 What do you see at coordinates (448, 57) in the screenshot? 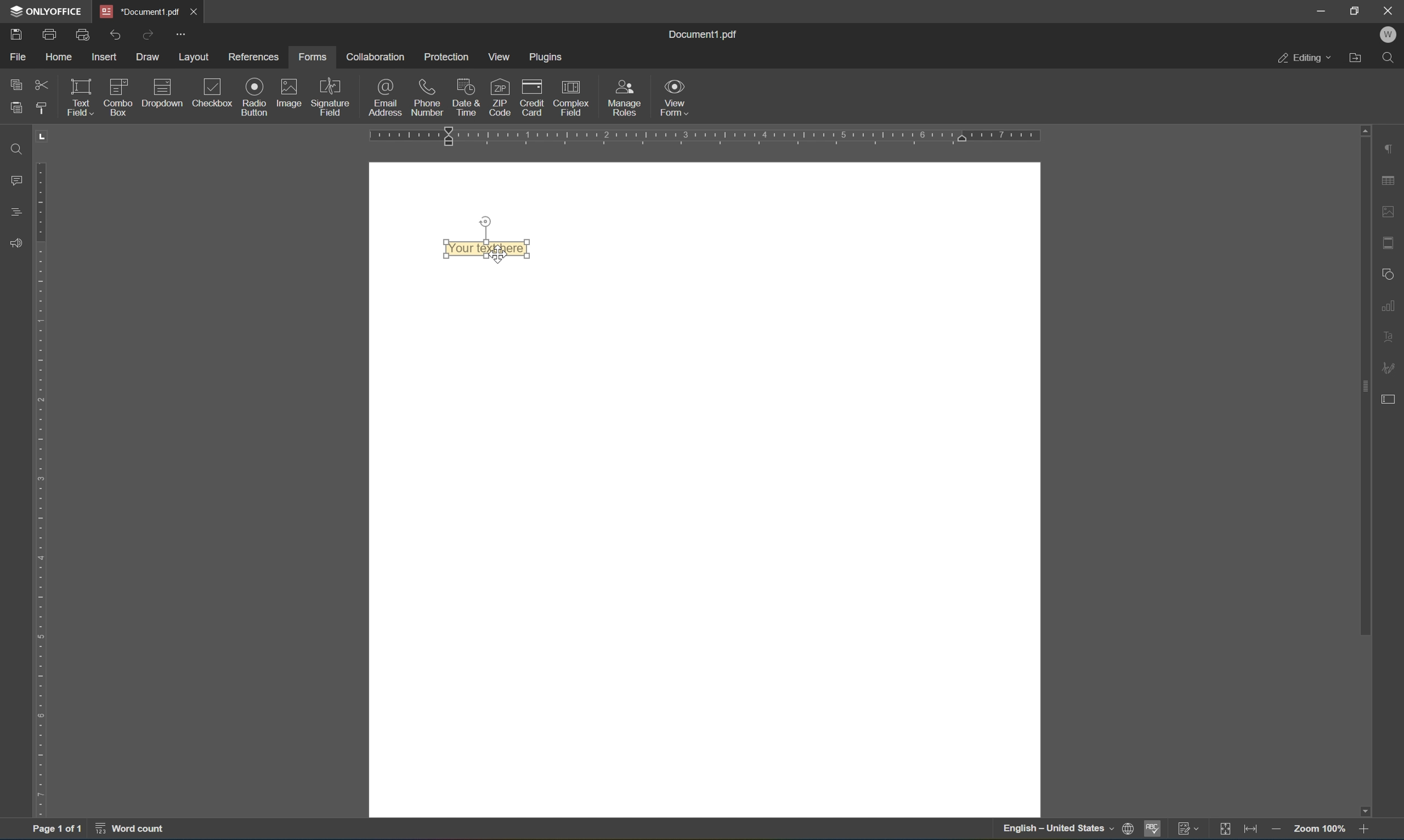
I see `protection` at bounding box center [448, 57].